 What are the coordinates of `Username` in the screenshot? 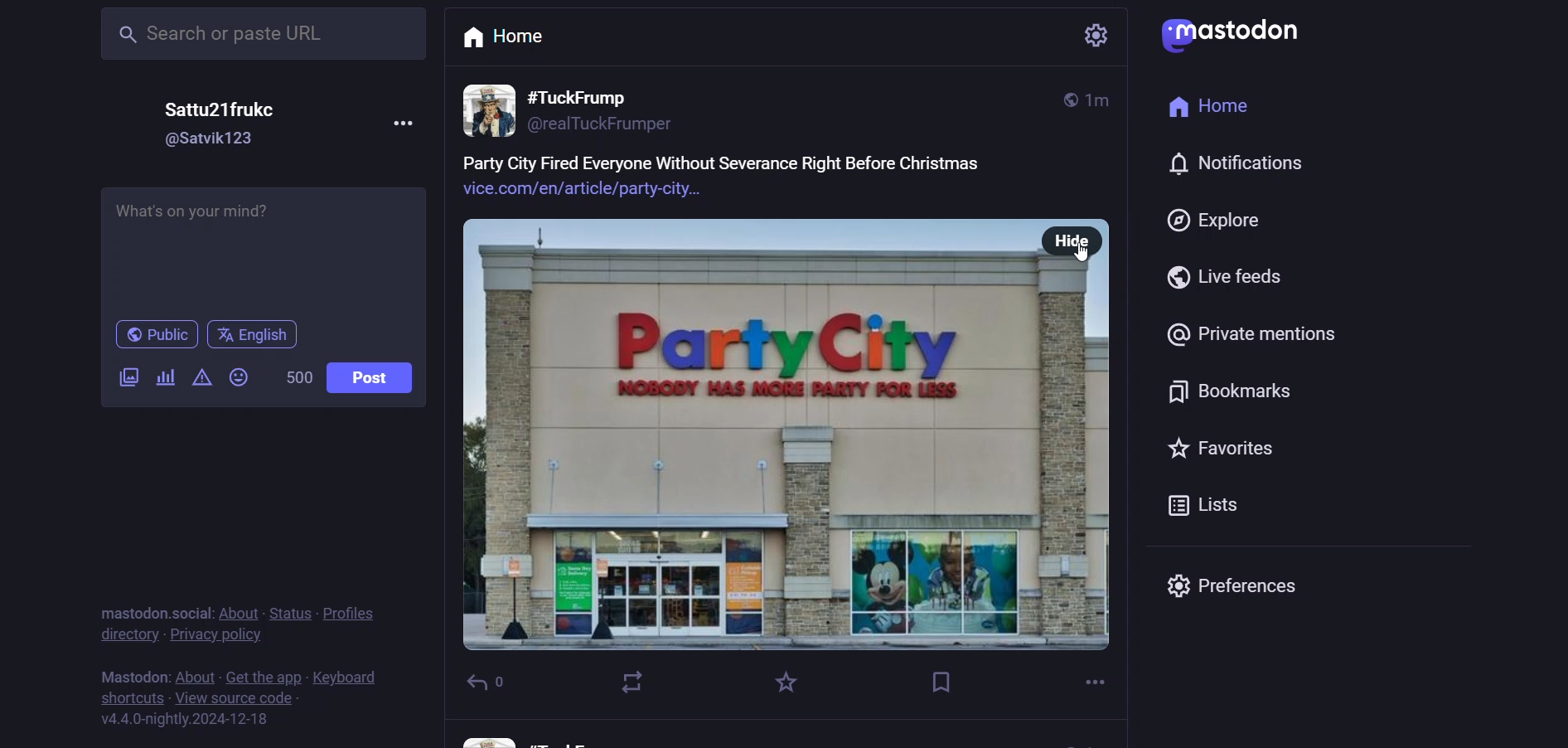 It's located at (219, 107).